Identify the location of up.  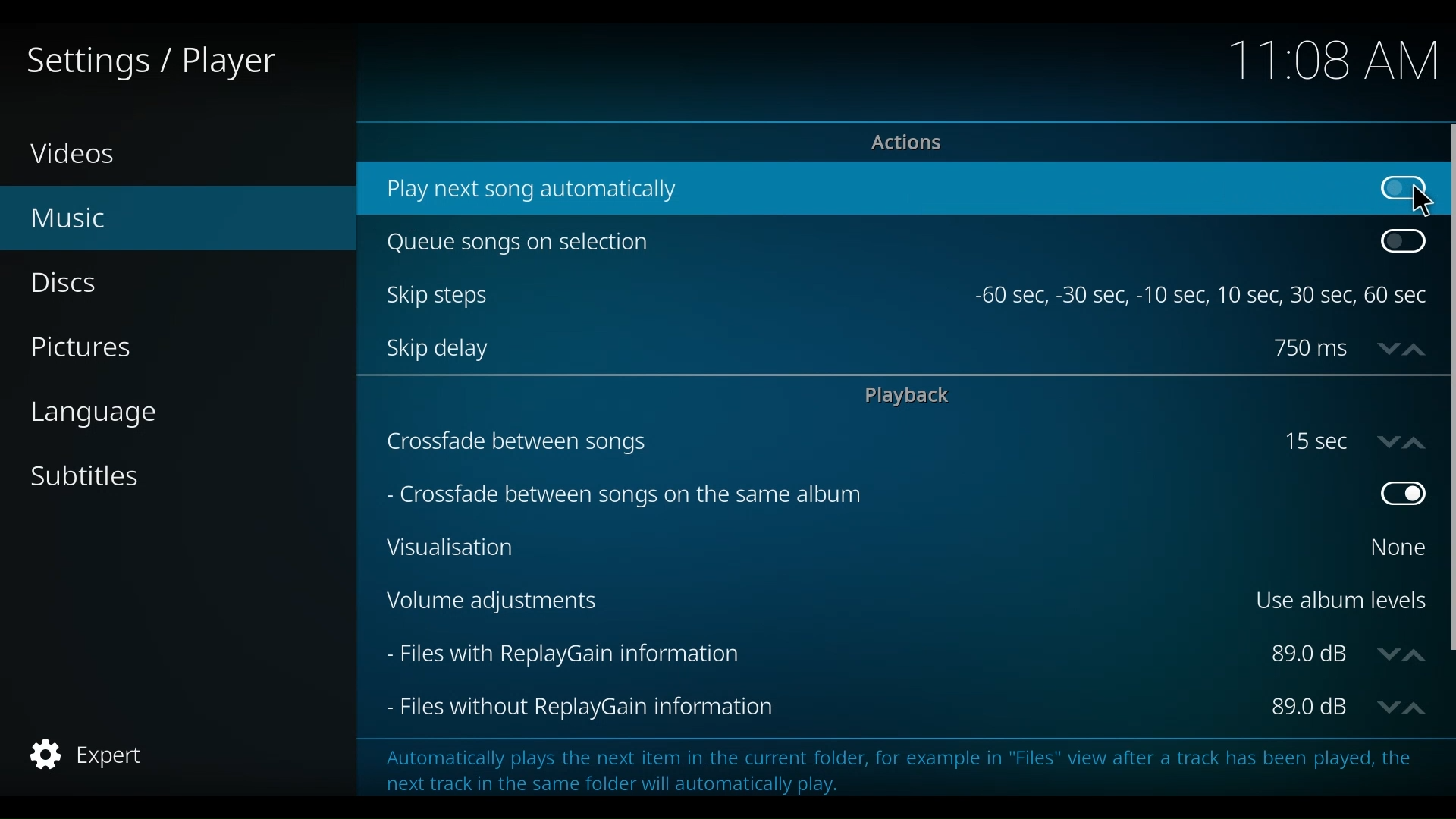
(1417, 347).